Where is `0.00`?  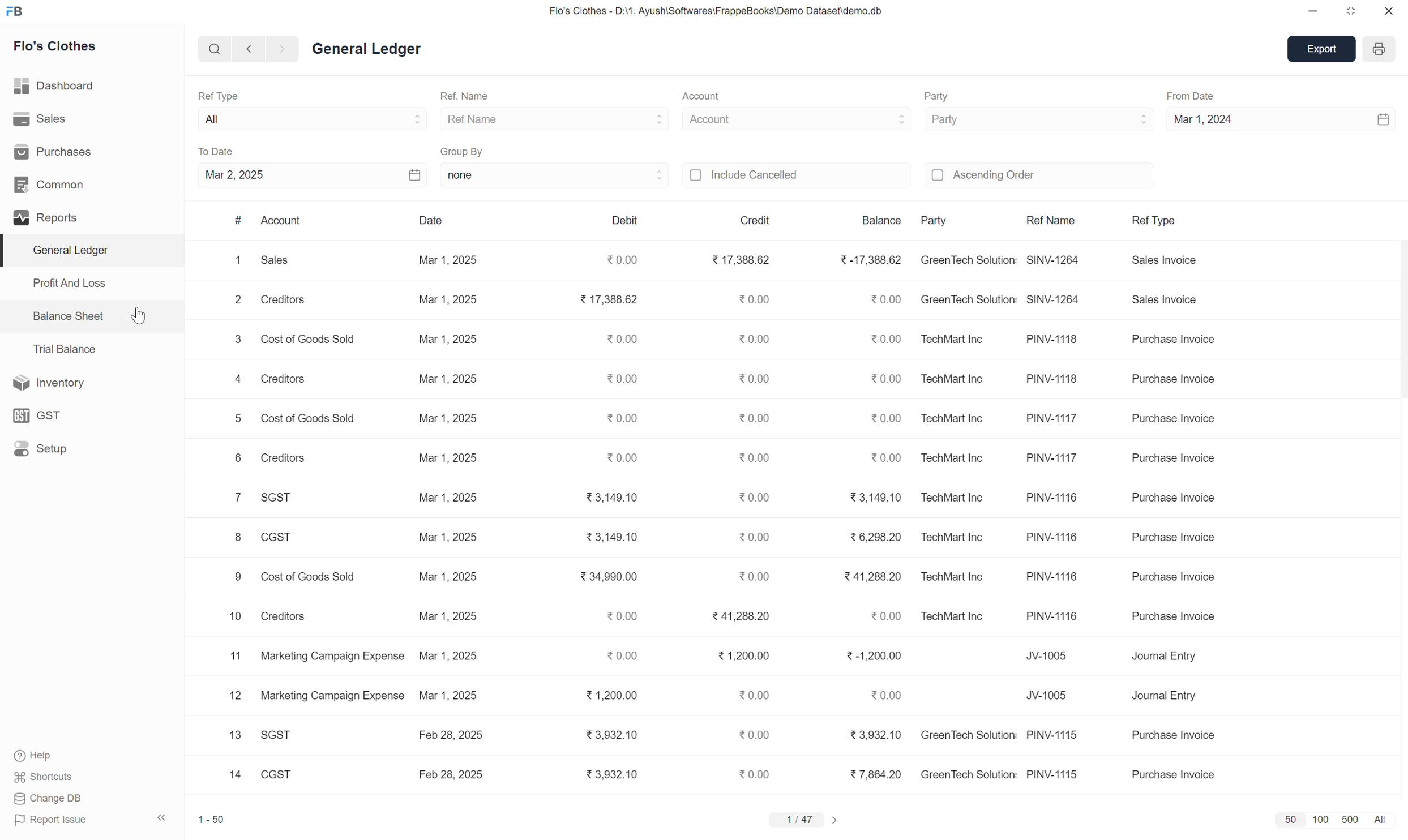
0.00 is located at coordinates (880, 417).